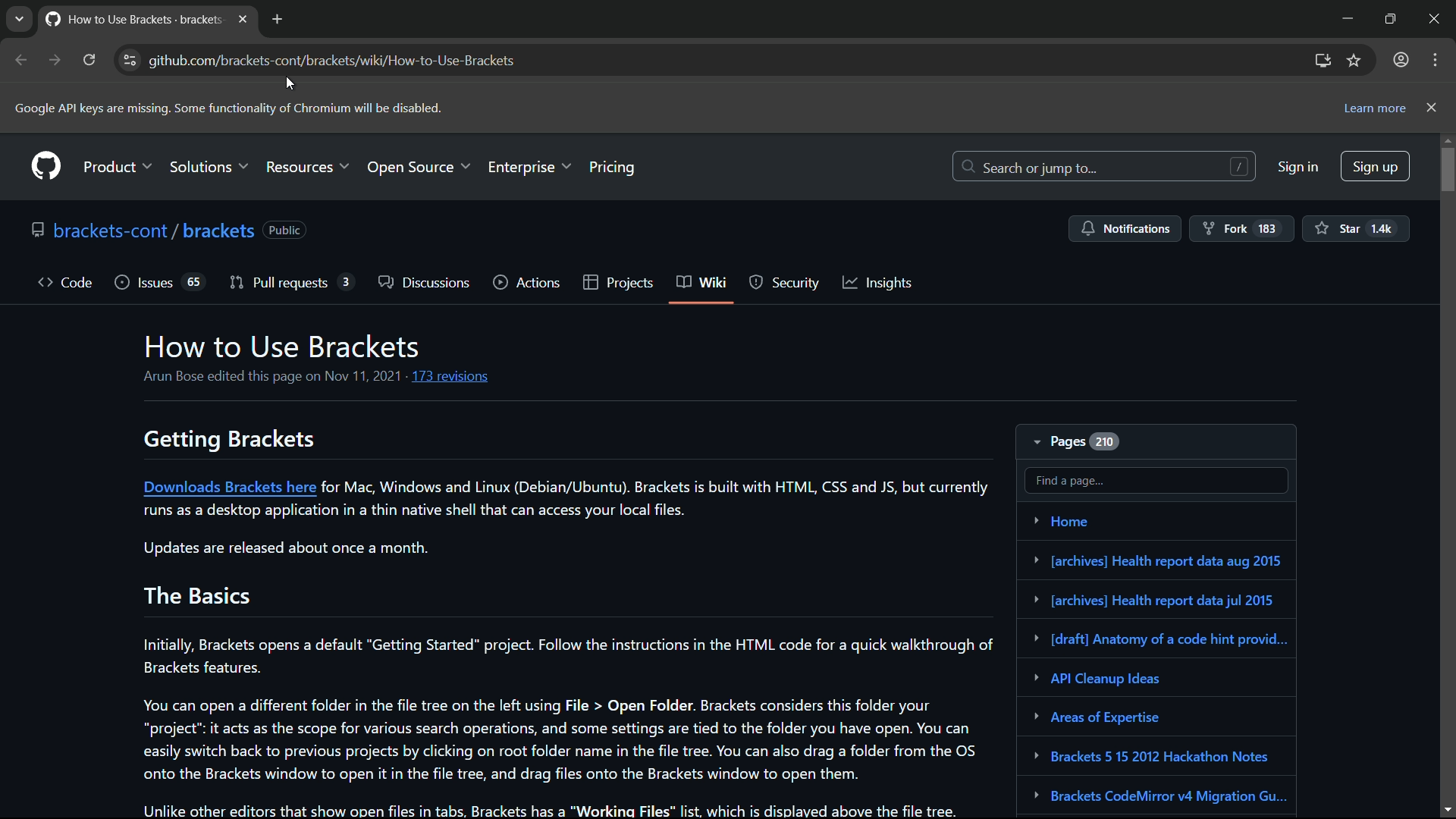  I want to click on resources, so click(307, 167).